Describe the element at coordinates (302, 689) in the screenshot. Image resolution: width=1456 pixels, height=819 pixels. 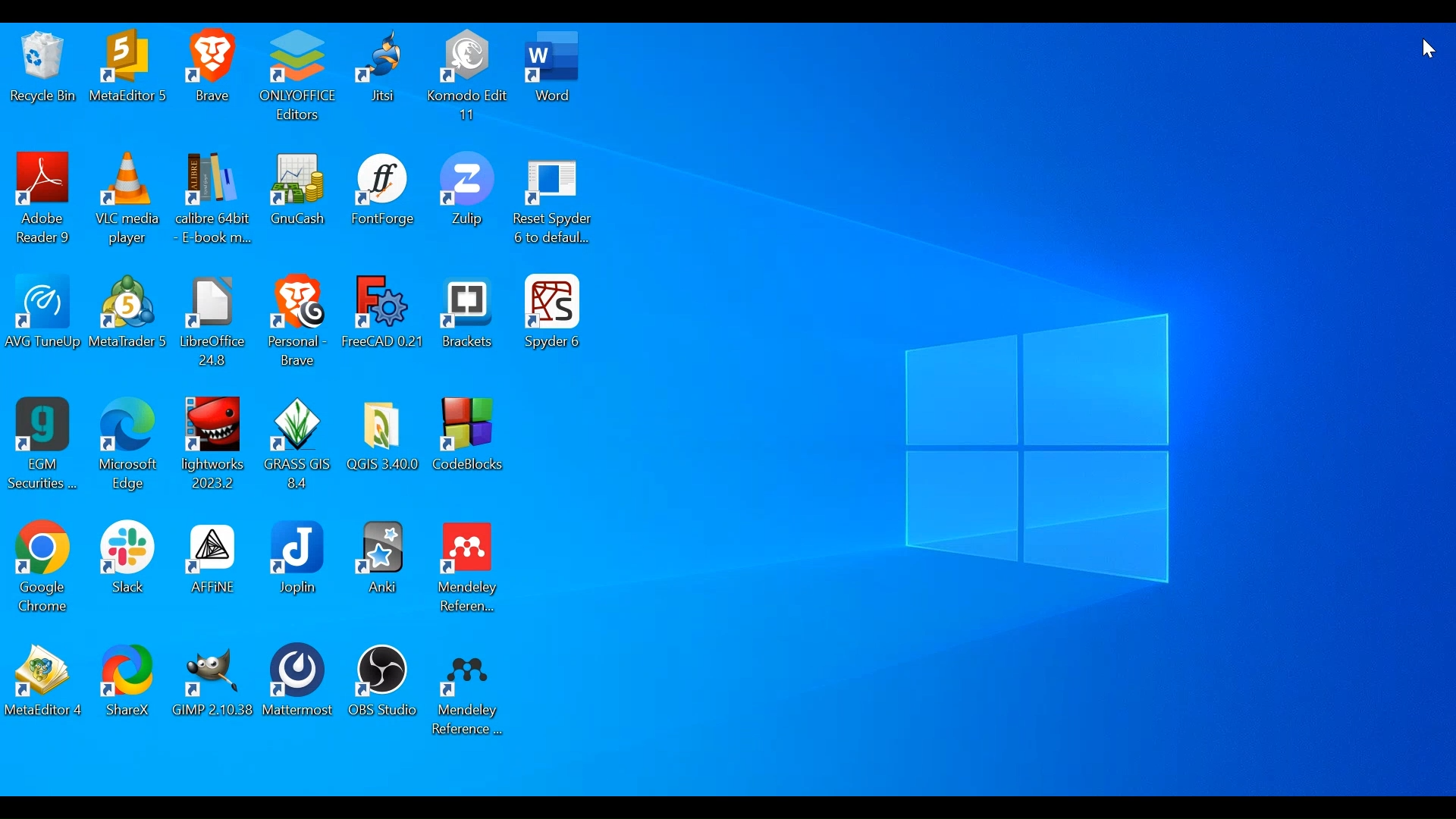
I see `Mattermost ` at that location.